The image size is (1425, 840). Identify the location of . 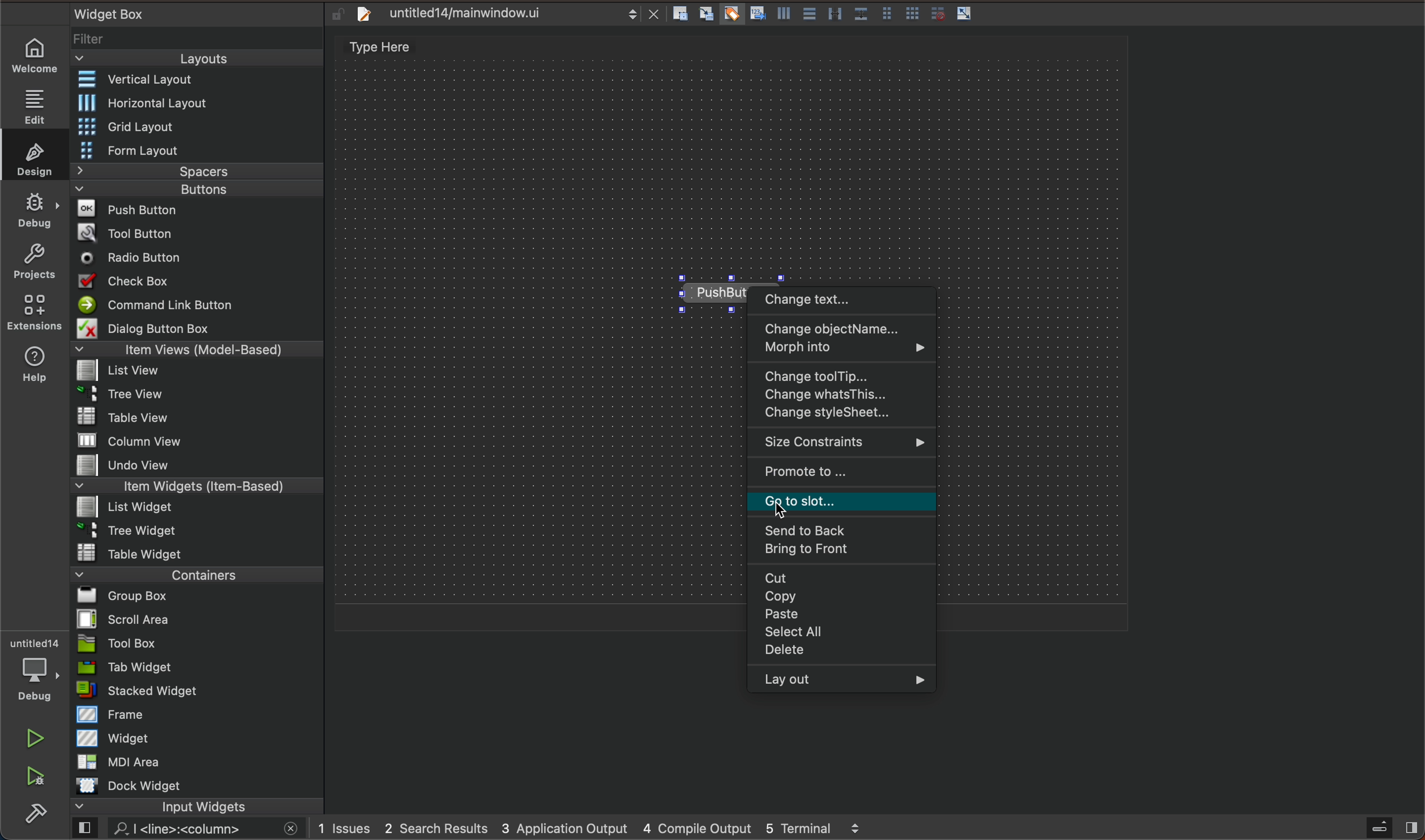
(810, 14).